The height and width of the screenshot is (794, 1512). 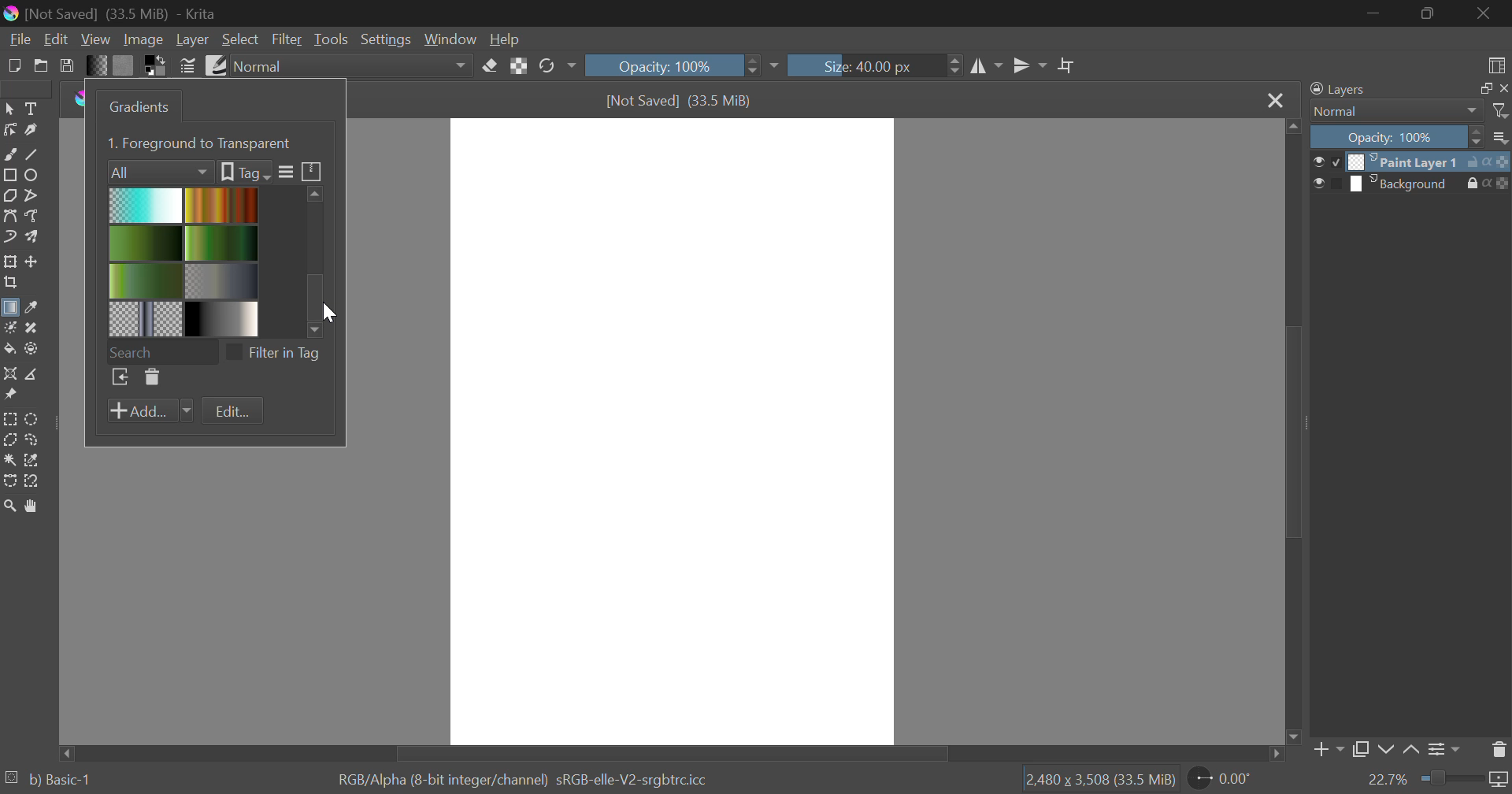 I want to click on Colorize Mask Tool, so click(x=9, y=328).